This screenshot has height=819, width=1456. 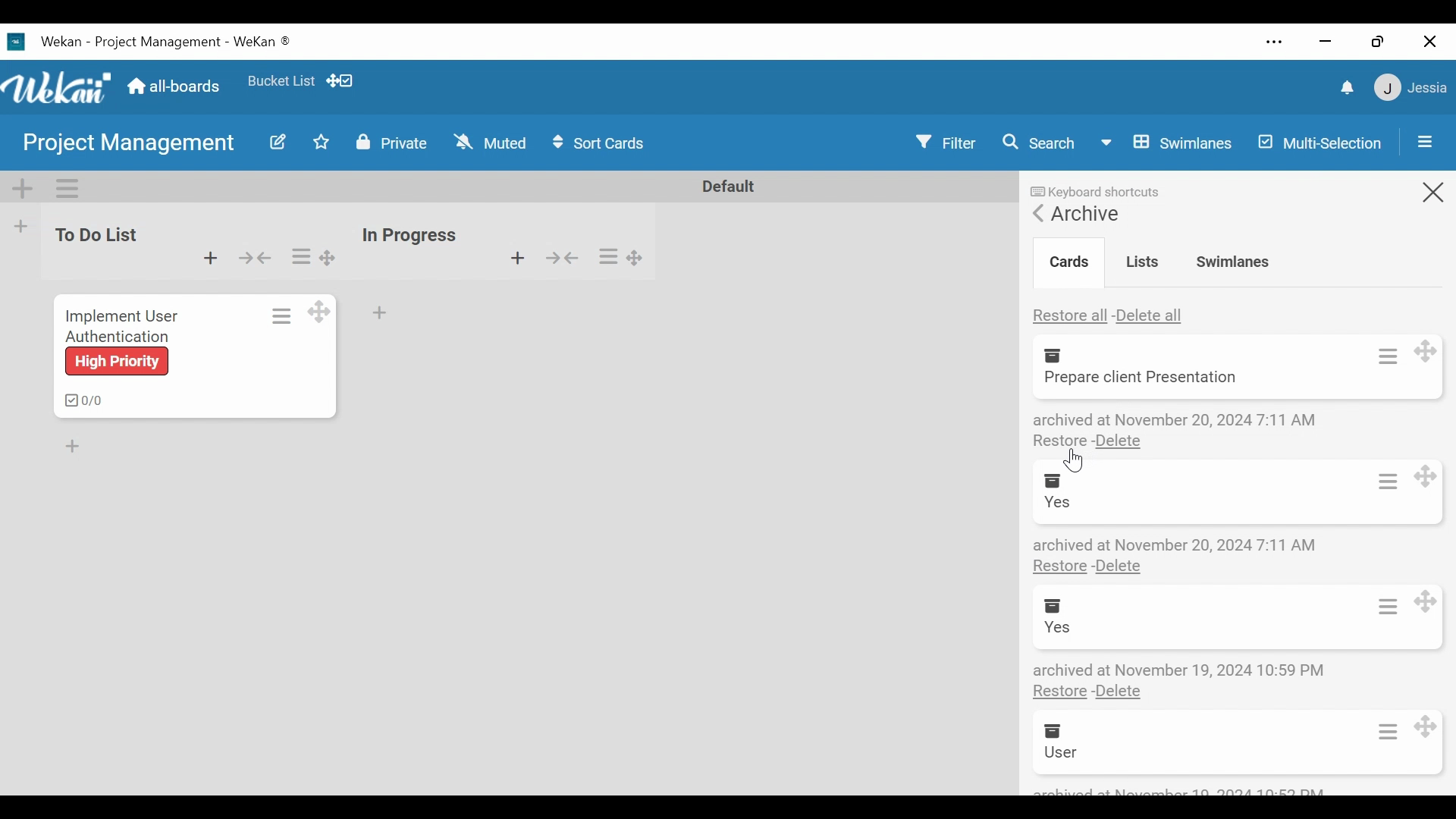 What do you see at coordinates (1409, 86) in the screenshot?
I see `member menu` at bounding box center [1409, 86].